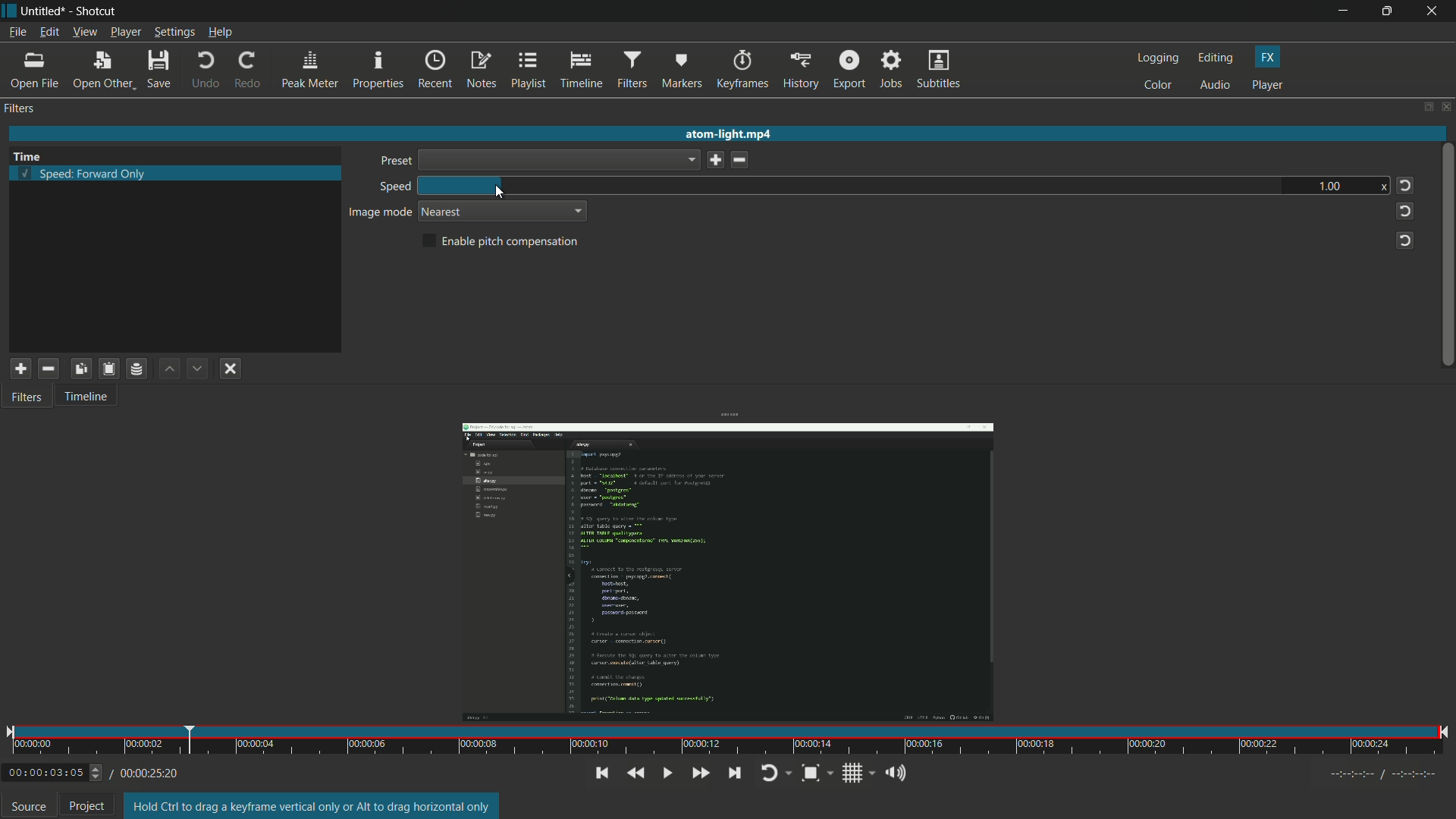  I want to click on audio, so click(1216, 86).